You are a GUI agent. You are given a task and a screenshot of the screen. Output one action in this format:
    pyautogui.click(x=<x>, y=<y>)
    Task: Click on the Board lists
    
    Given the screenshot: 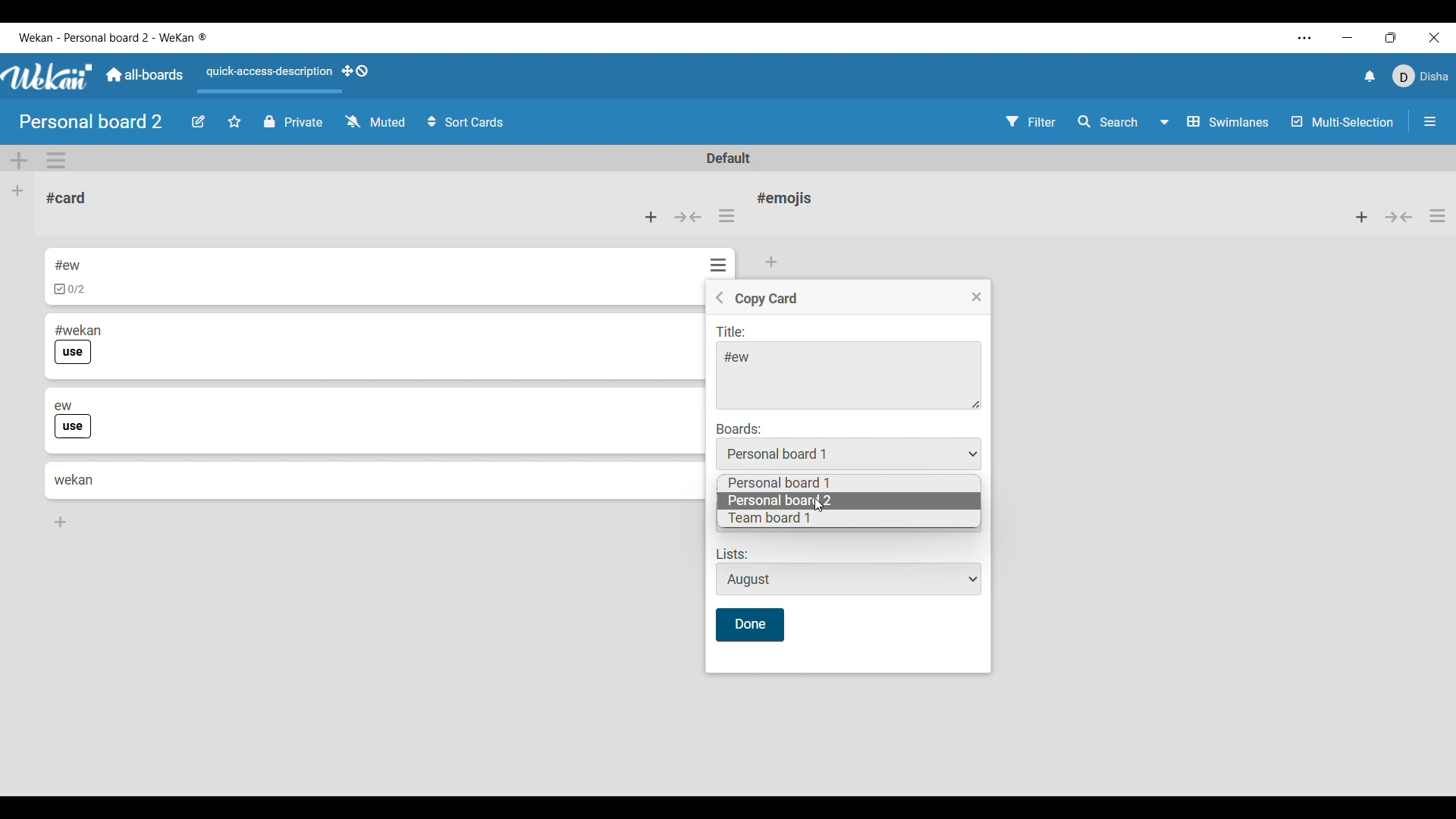 What is the action you would take?
    pyautogui.click(x=849, y=453)
    